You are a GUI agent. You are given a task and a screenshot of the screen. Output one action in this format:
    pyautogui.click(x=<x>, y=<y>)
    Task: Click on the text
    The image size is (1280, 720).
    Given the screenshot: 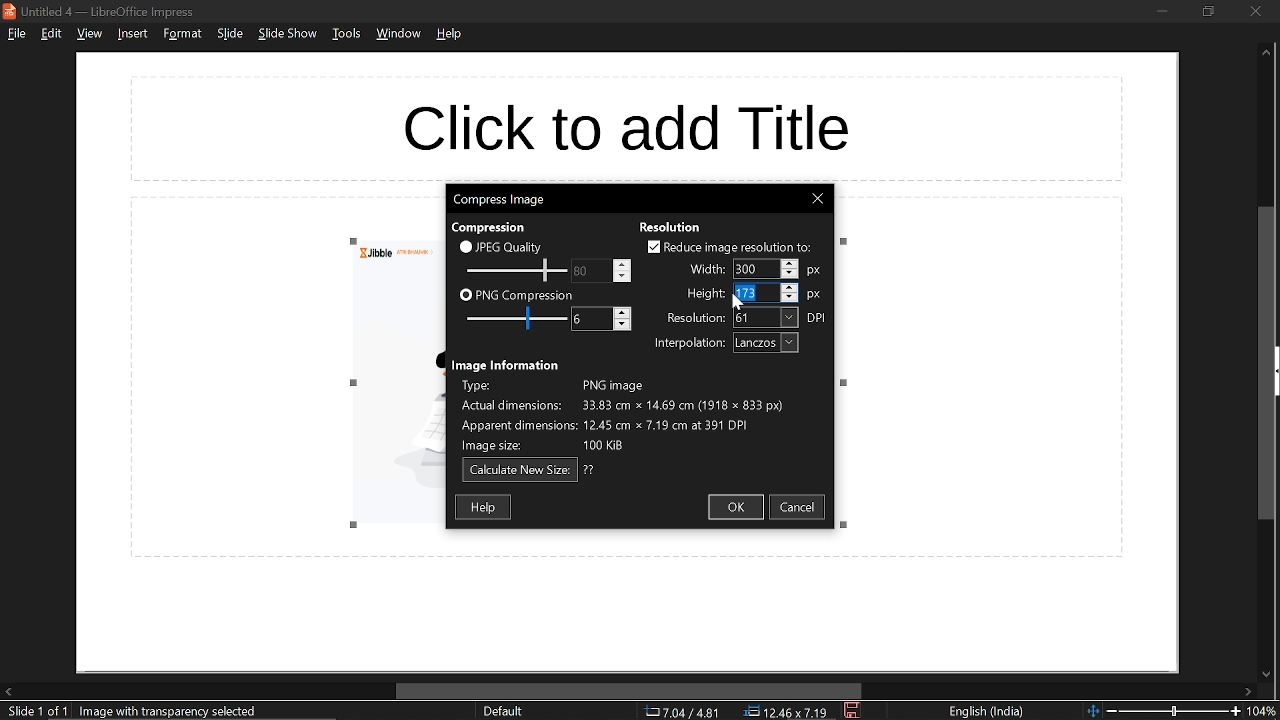 What is the action you would take?
    pyautogui.click(x=671, y=225)
    